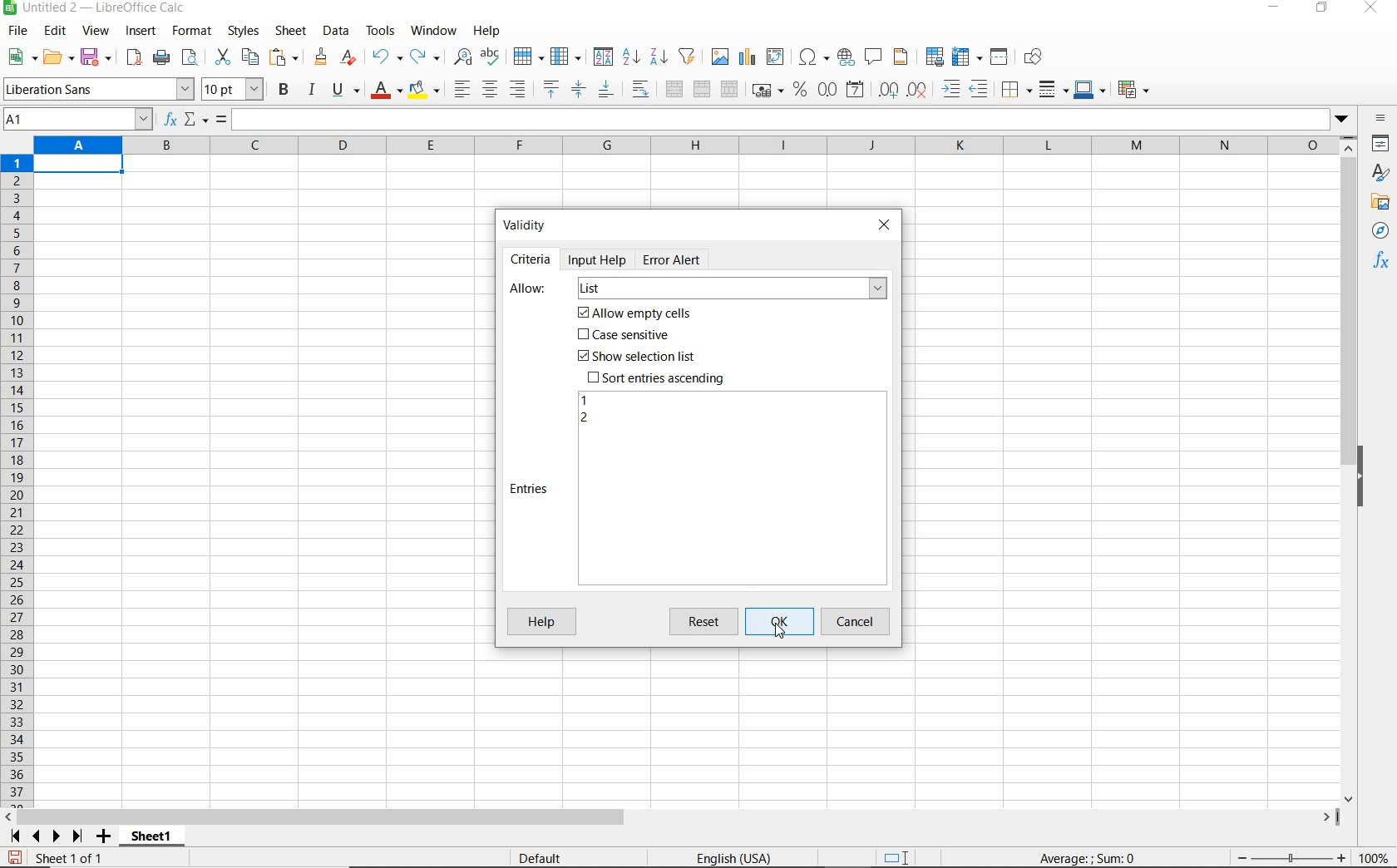 The width and height of the screenshot is (1397, 868). Describe the element at coordinates (814, 57) in the screenshot. I see `insert special characters` at that location.